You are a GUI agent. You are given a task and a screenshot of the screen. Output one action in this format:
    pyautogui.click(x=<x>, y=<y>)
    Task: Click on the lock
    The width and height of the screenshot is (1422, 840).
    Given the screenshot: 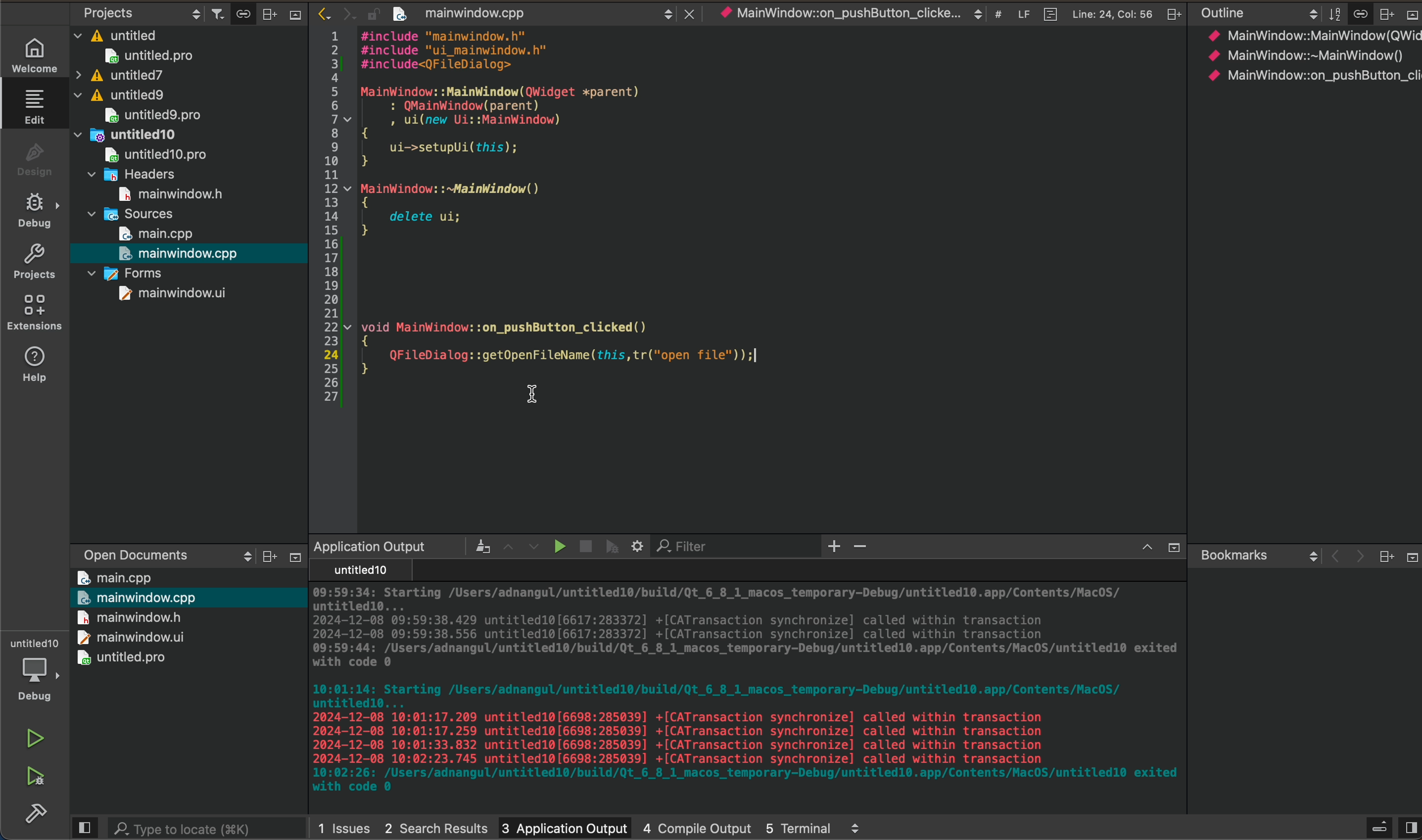 What is the action you would take?
    pyautogui.click(x=367, y=11)
    